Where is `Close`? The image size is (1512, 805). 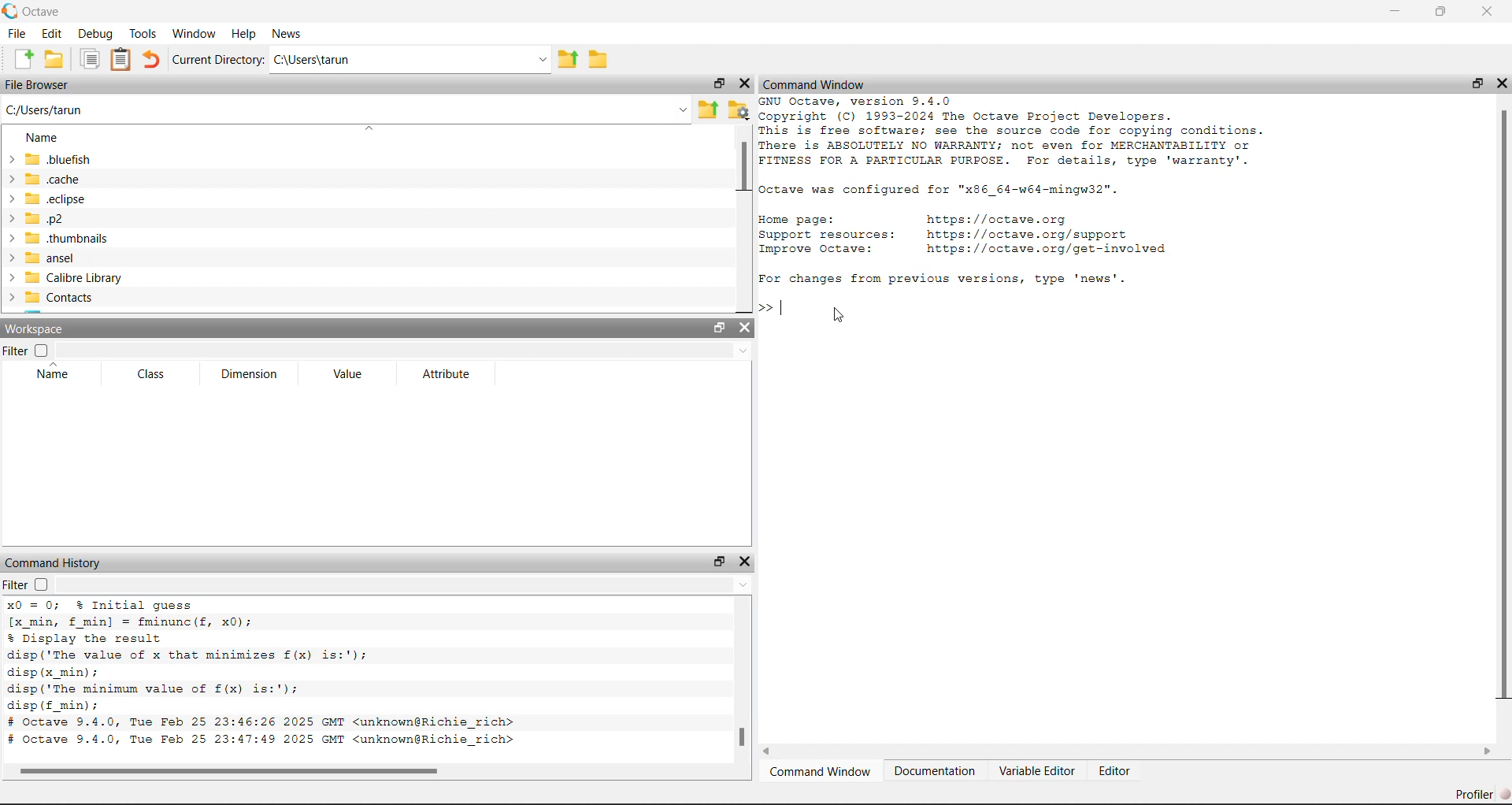
Close is located at coordinates (1503, 80).